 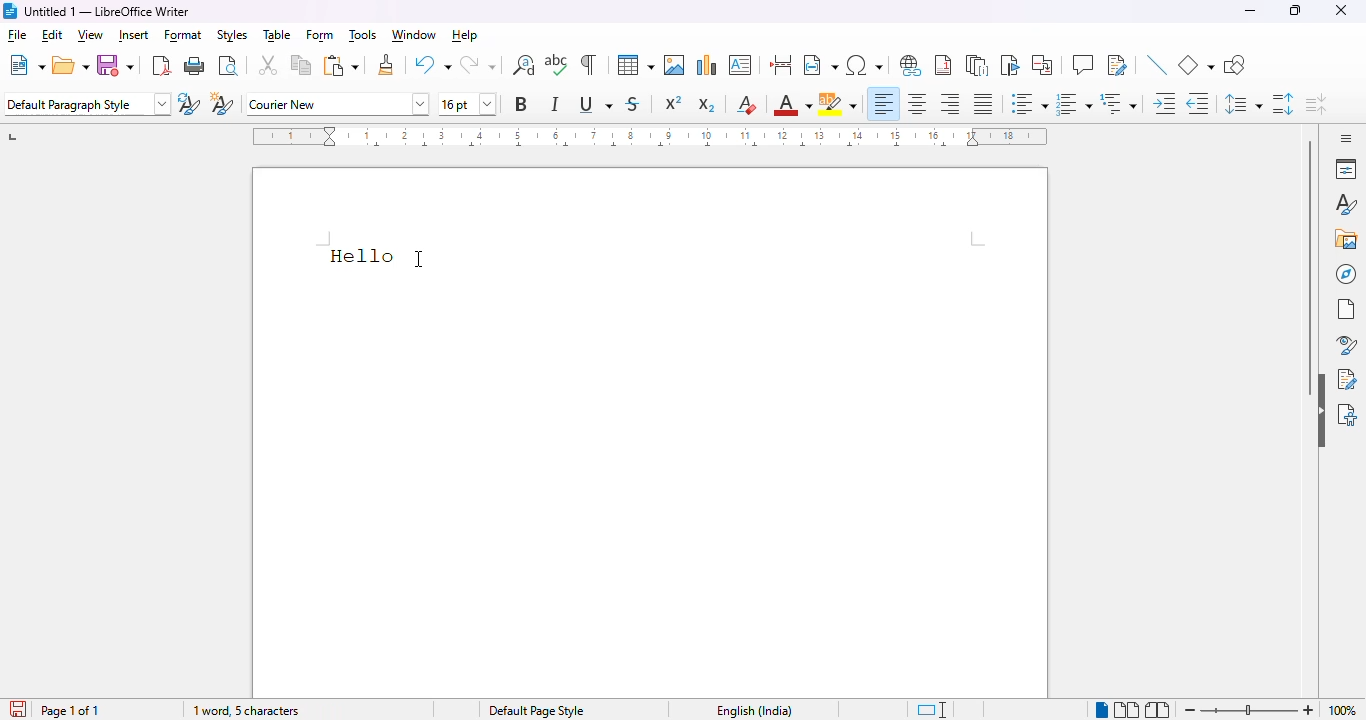 I want to click on style inspector, so click(x=1345, y=345).